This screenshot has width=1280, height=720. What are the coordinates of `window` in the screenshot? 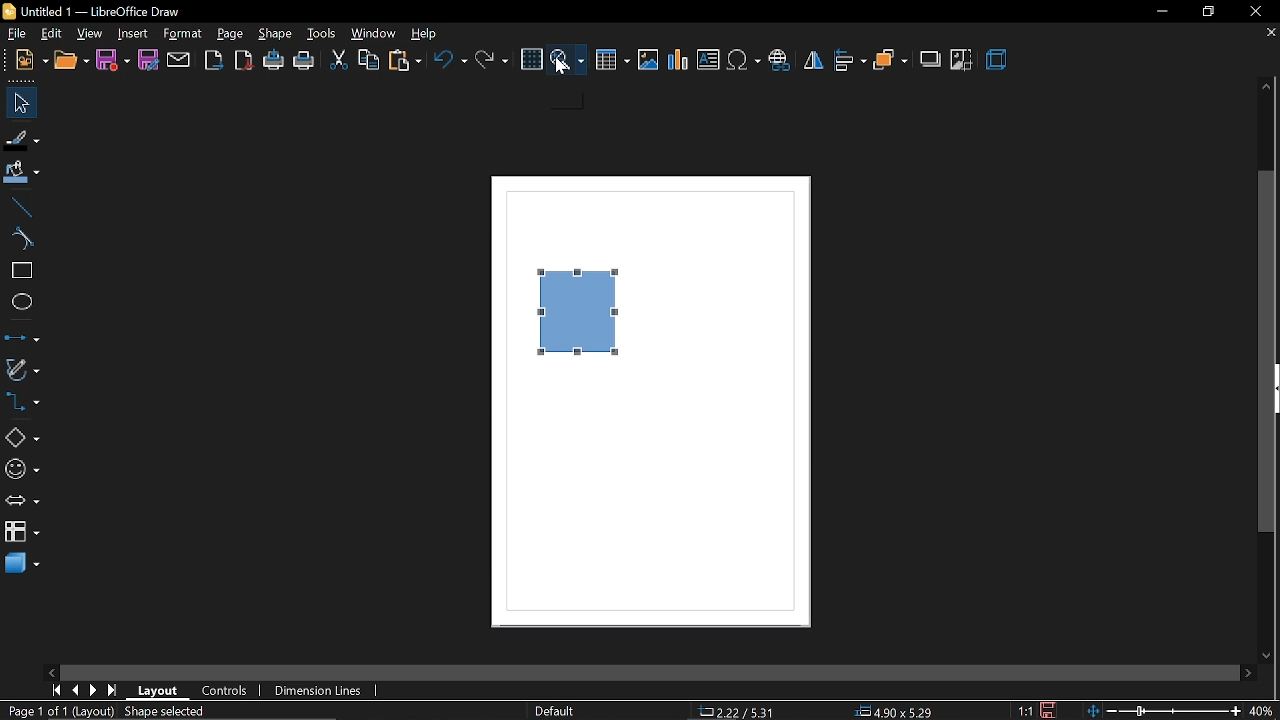 It's located at (374, 34).